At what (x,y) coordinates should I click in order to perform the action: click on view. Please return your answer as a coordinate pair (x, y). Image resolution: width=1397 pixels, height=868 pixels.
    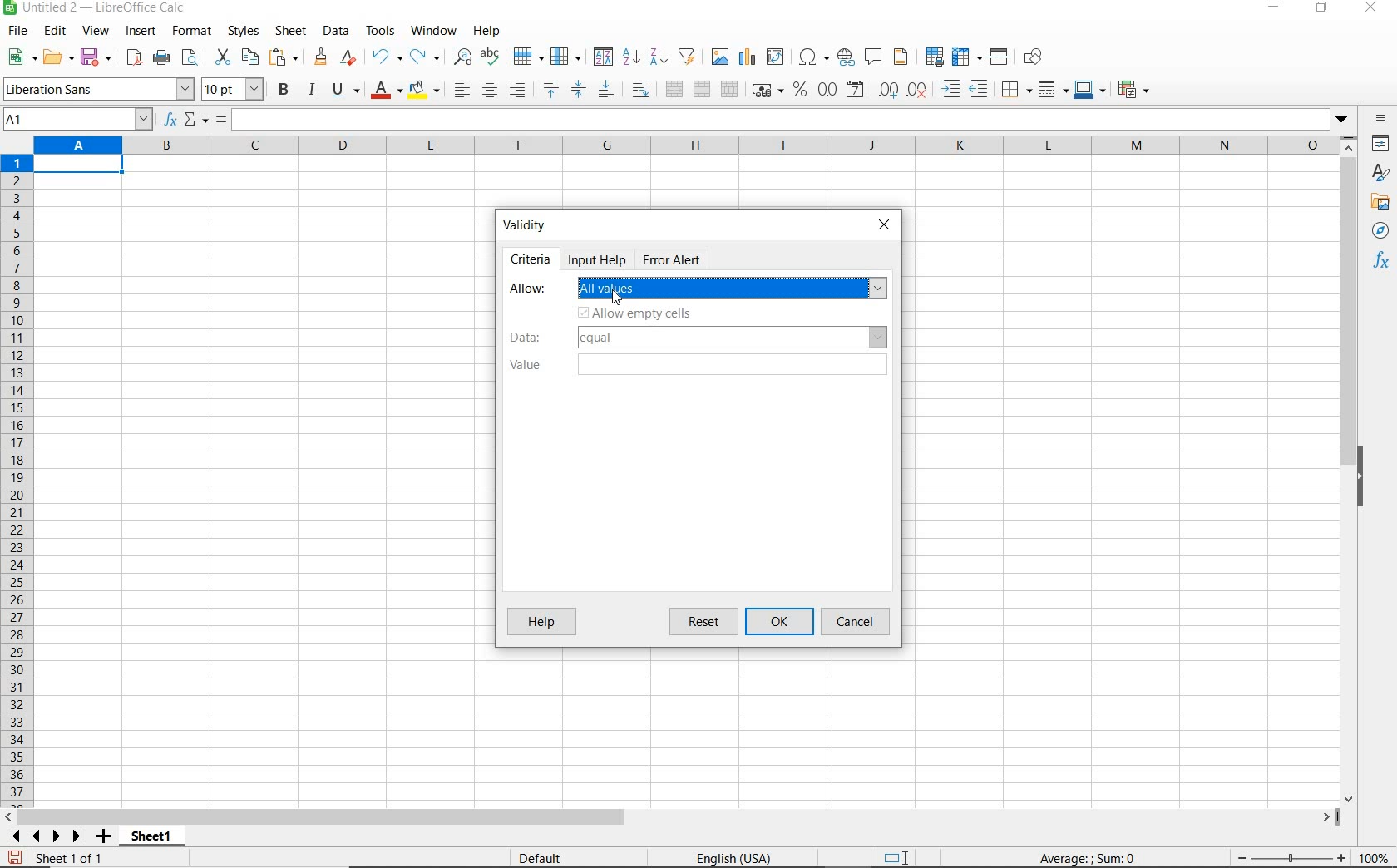
    Looking at the image, I should click on (96, 32).